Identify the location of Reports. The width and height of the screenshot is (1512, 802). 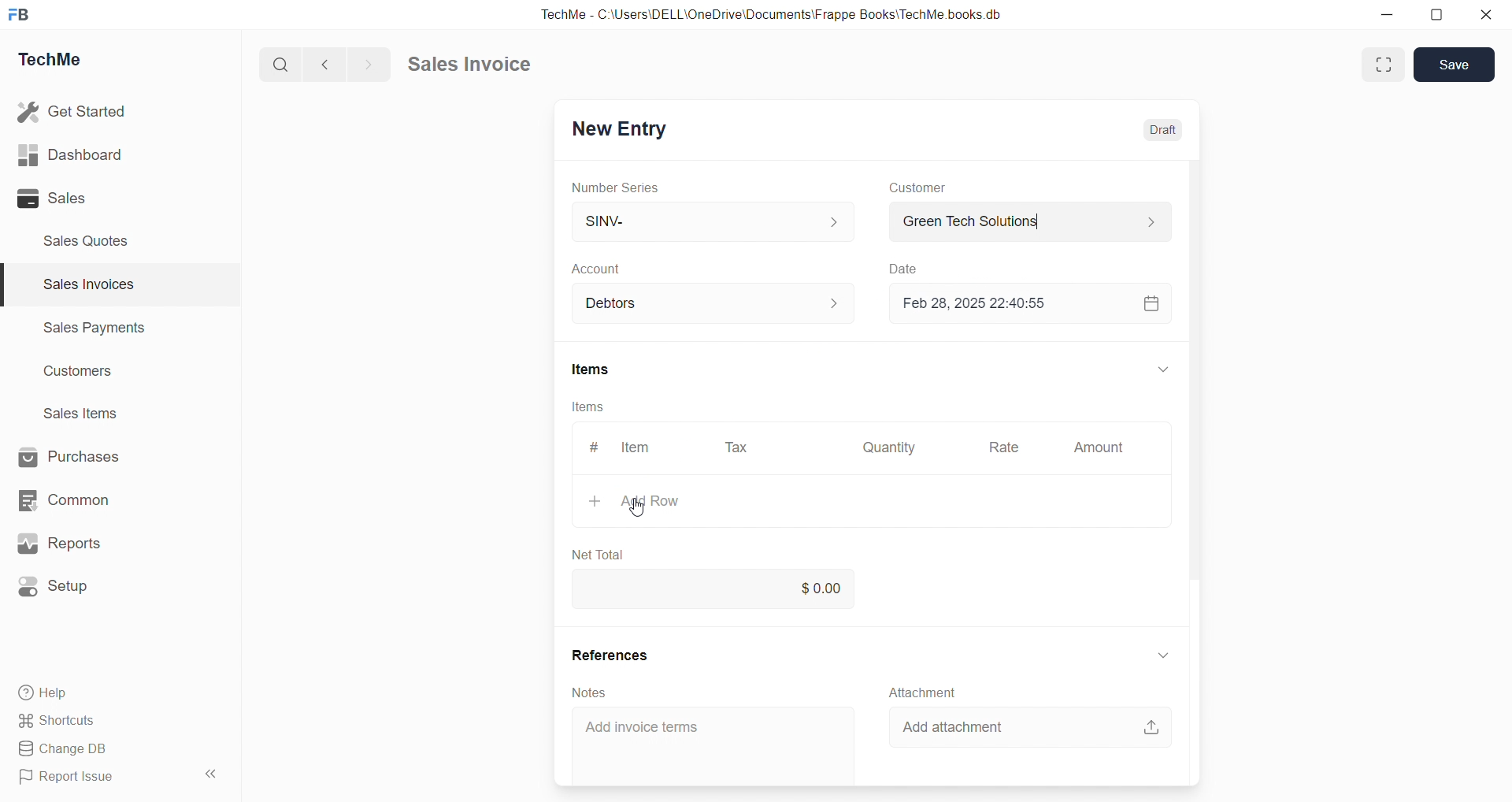
(59, 543).